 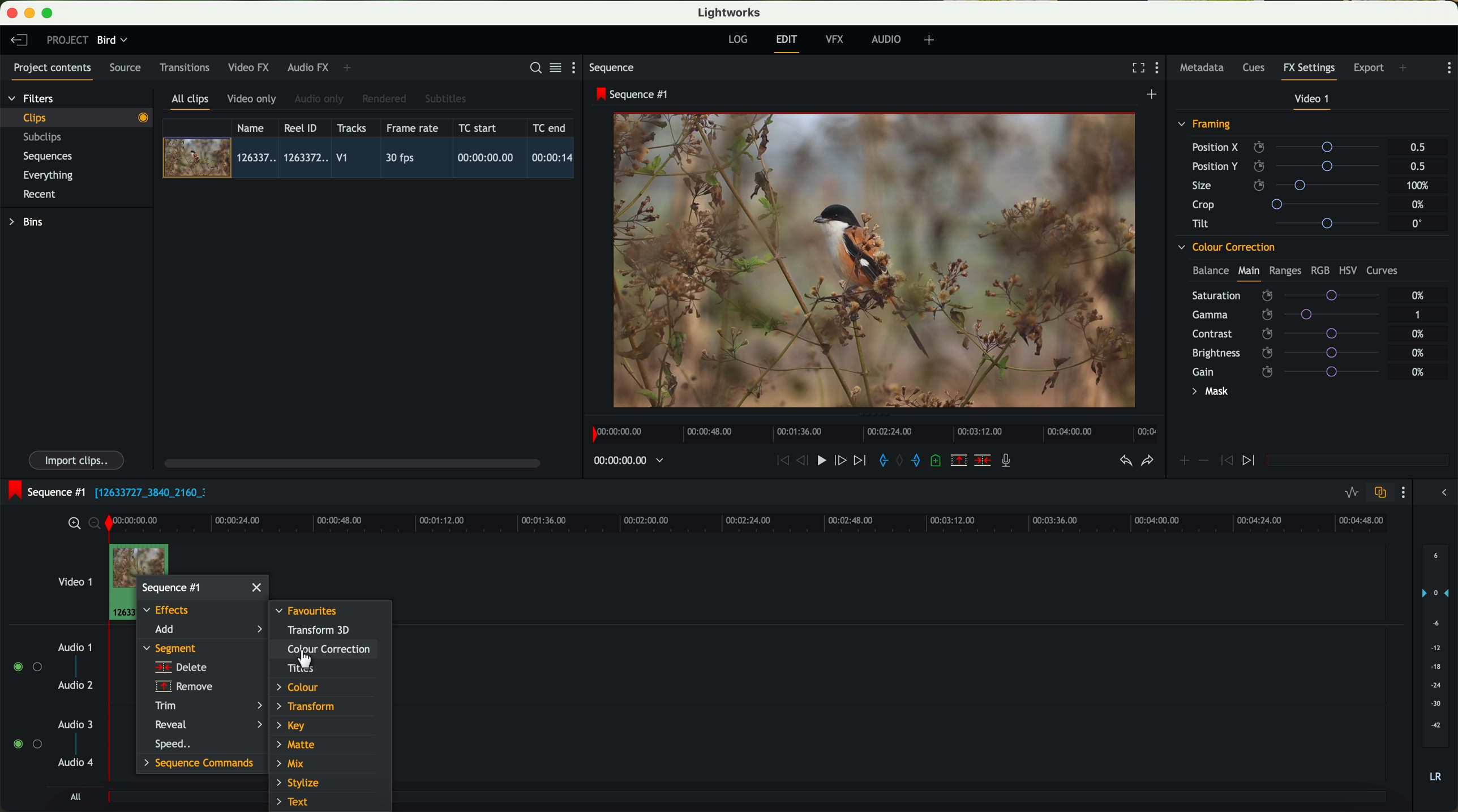 What do you see at coordinates (1285, 270) in the screenshot?
I see `ranges` at bounding box center [1285, 270].